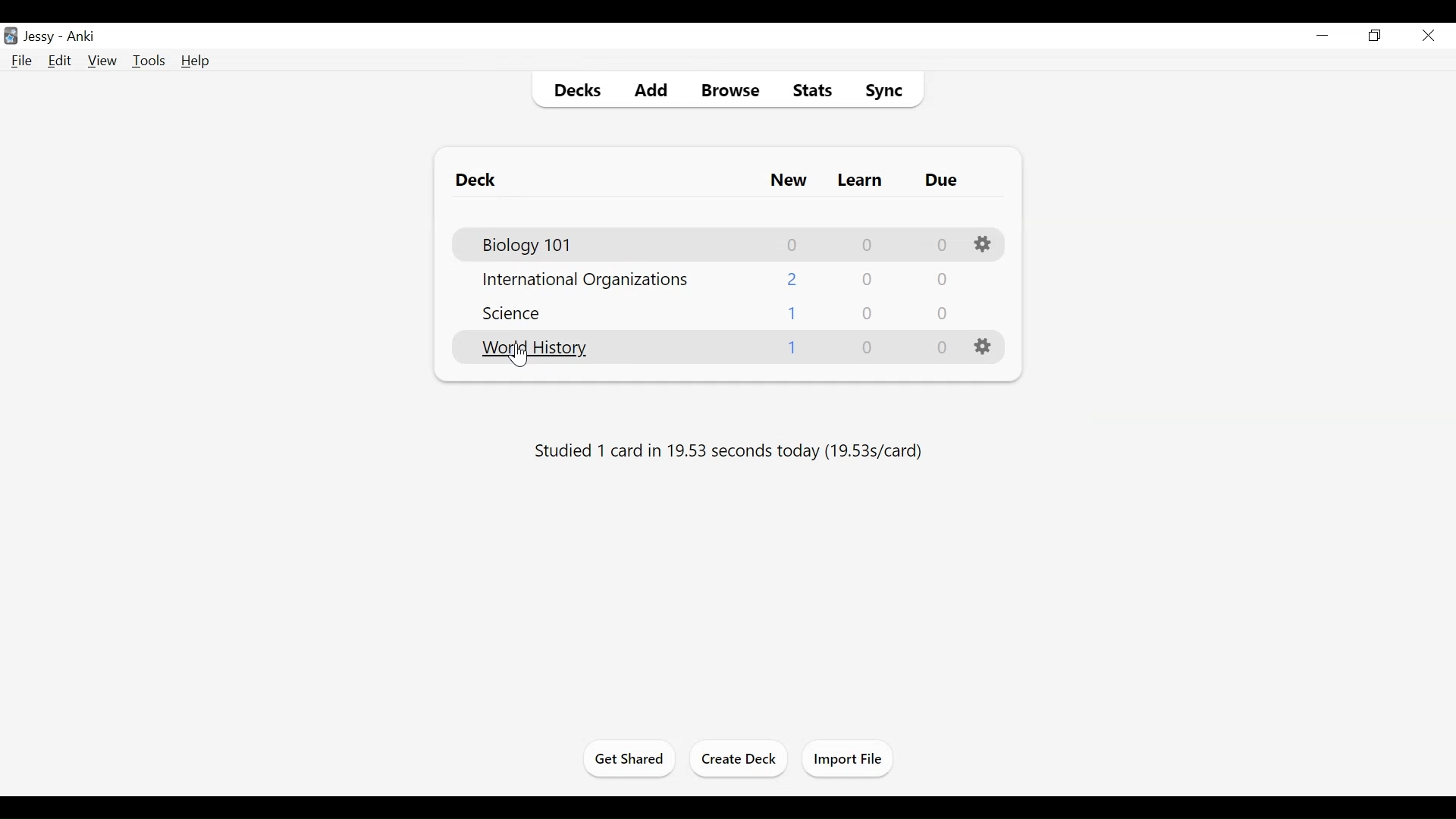  What do you see at coordinates (982, 245) in the screenshot?
I see `Options` at bounding box center [982, 245].